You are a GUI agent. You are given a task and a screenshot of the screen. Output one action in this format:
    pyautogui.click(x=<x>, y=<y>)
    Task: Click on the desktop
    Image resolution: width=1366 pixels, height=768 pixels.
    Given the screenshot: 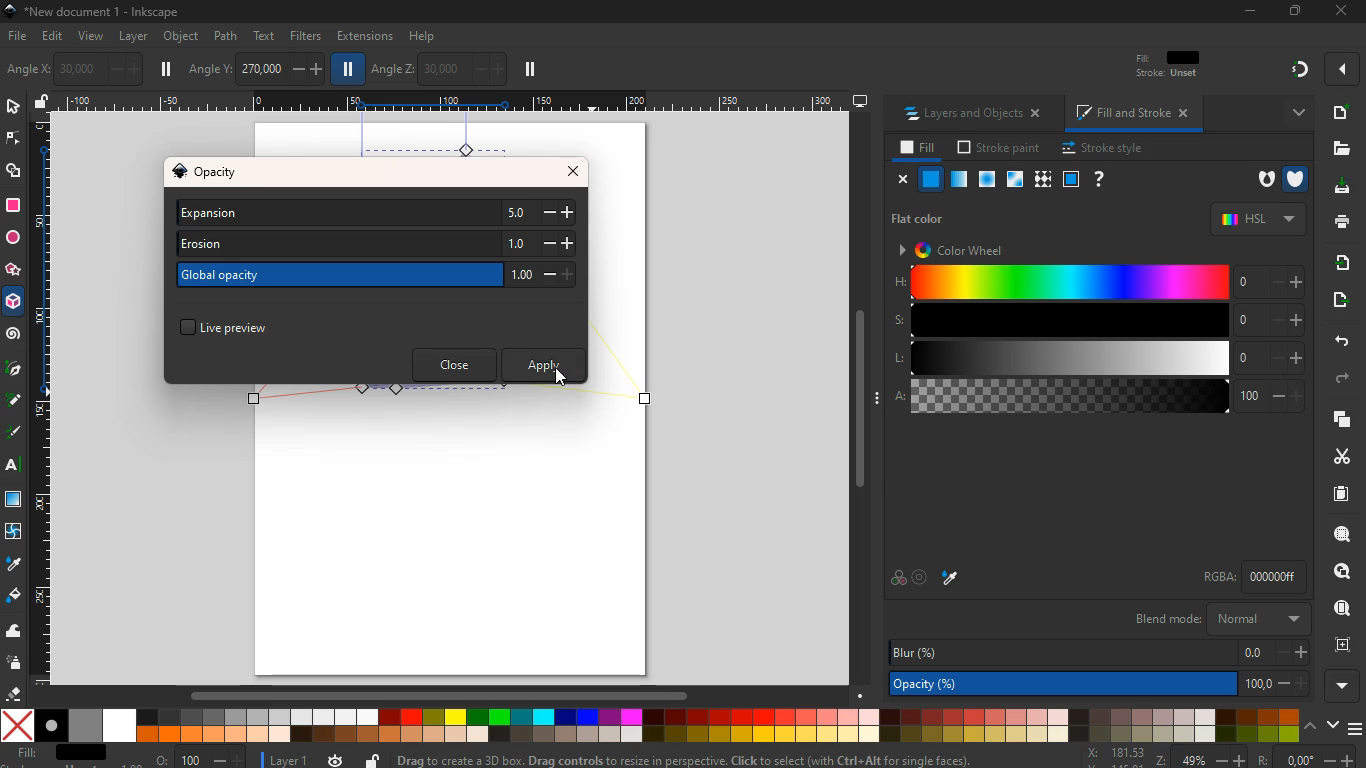 What is the action you would take?
    pyautogui.click(x=860, y=102)
    